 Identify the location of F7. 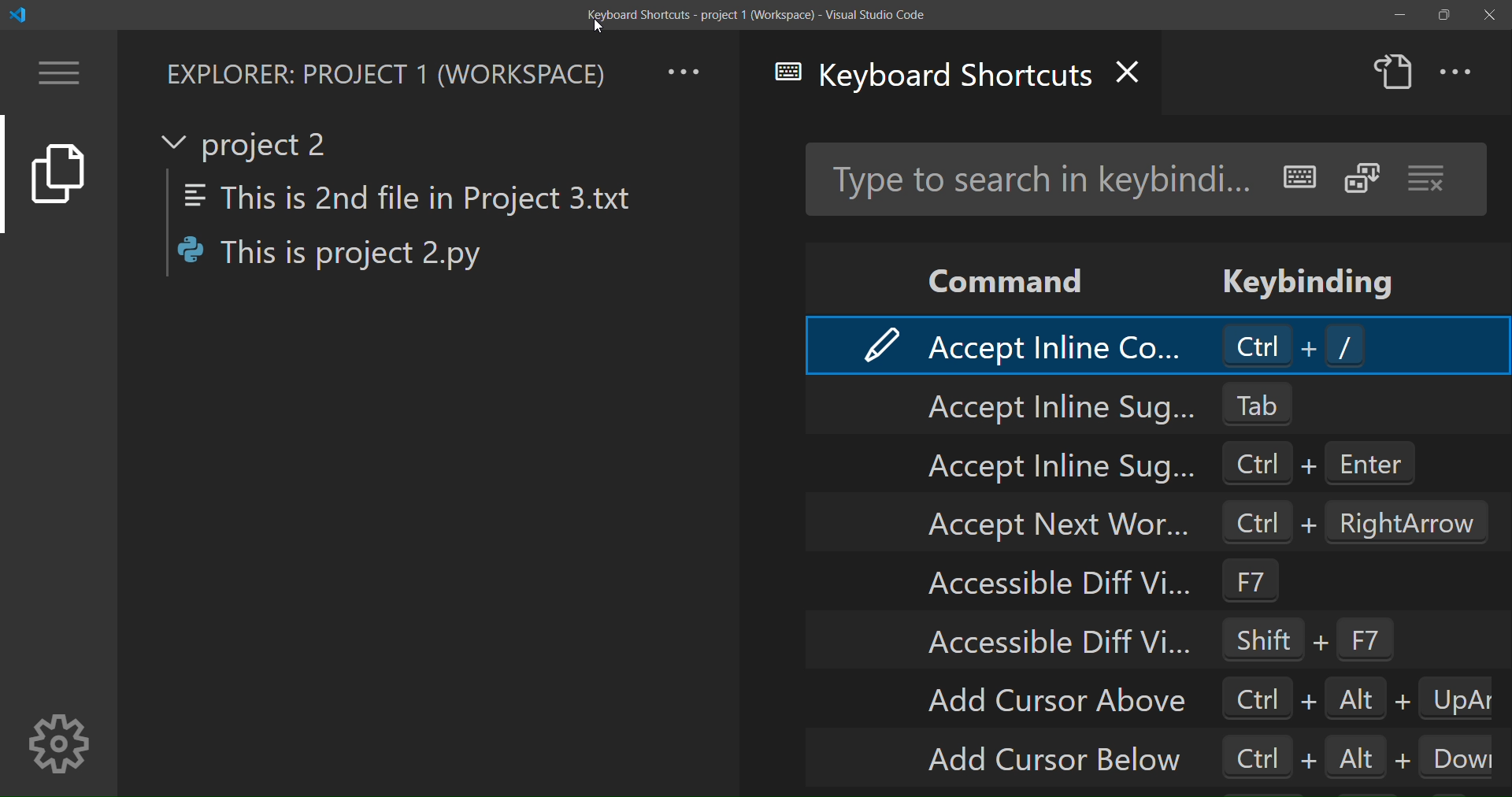
(1265, 584).